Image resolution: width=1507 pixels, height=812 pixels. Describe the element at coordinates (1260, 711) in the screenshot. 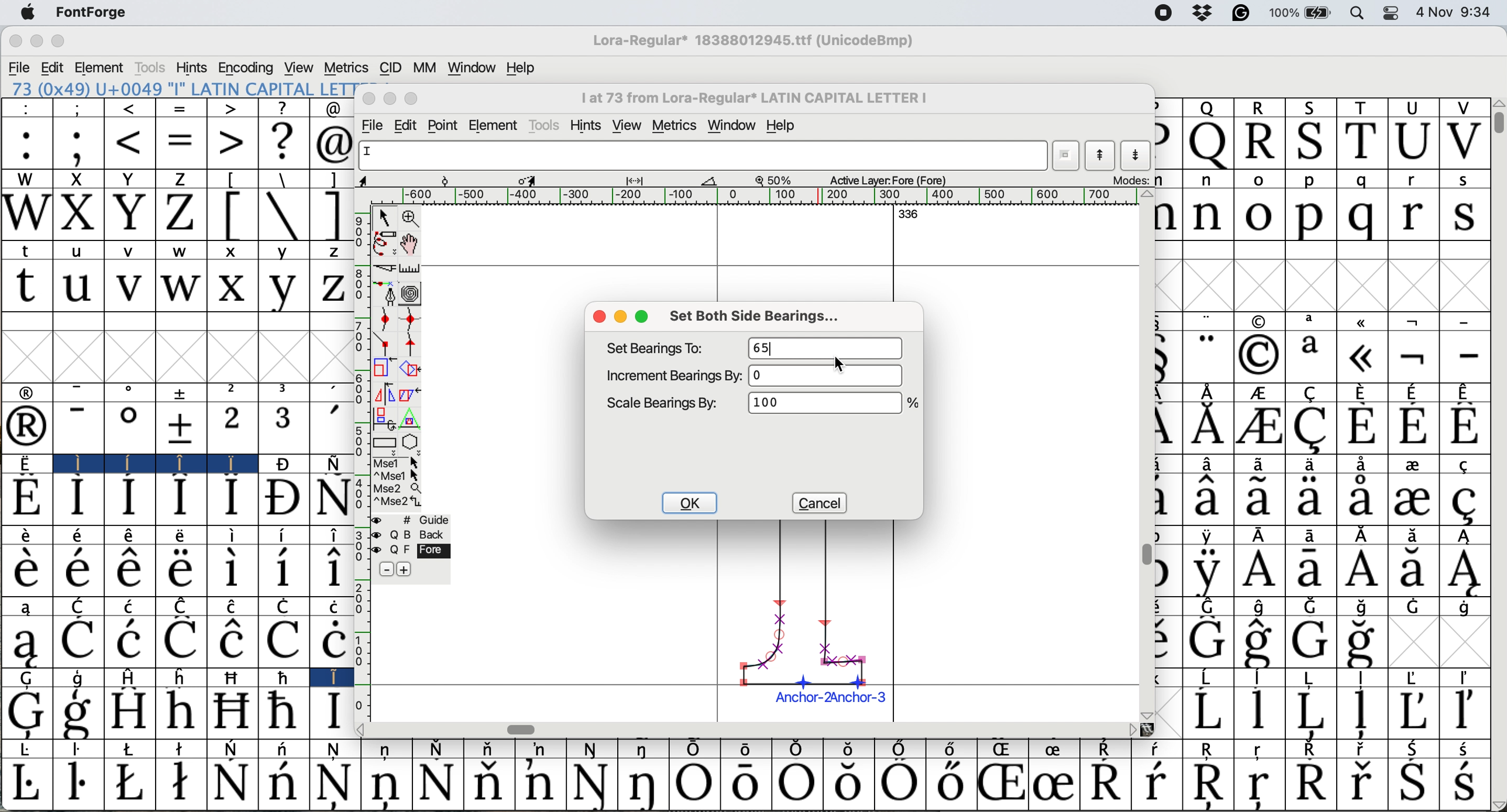

I see `Symbol` at that location.